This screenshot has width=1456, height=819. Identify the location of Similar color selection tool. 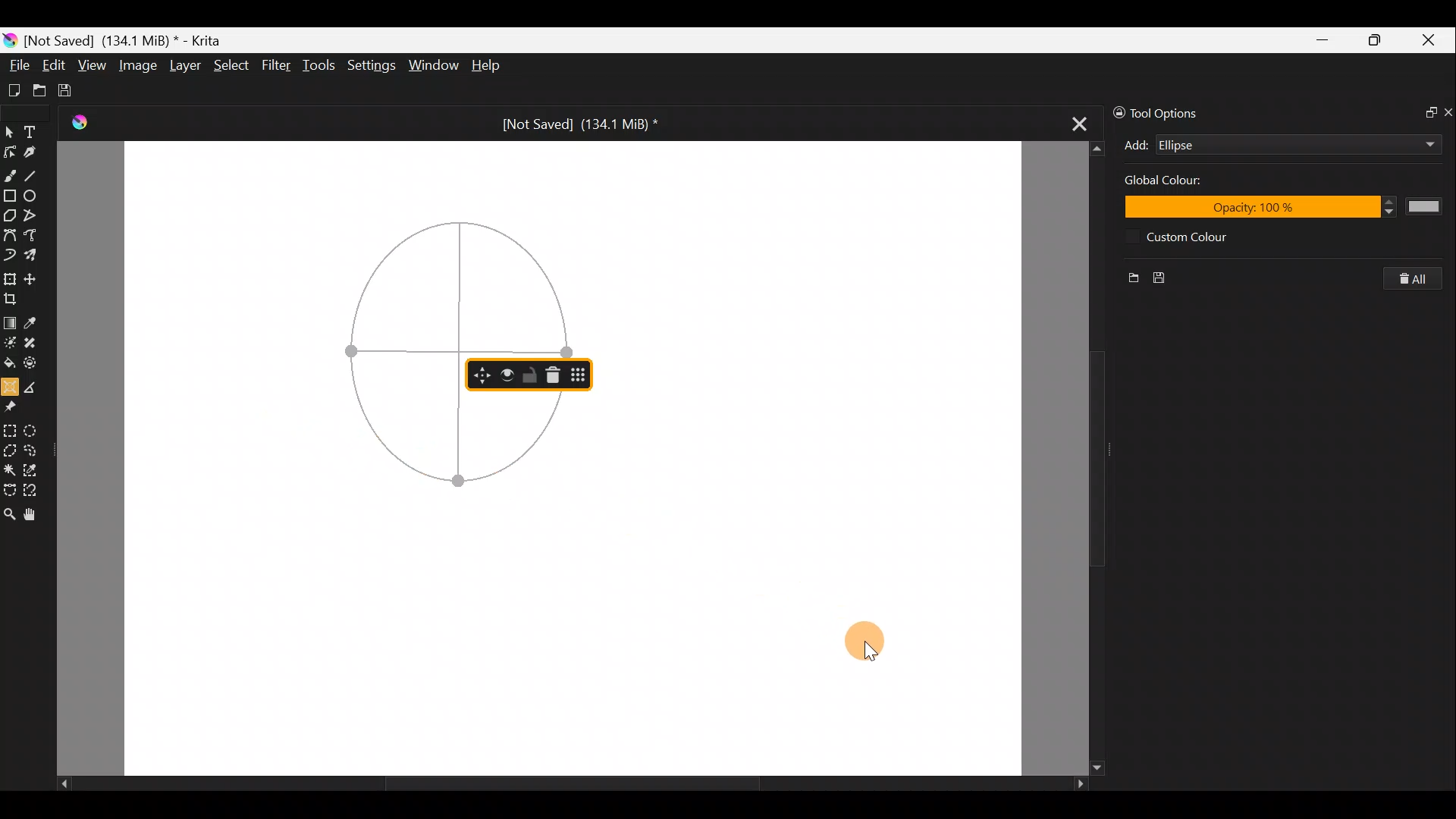
(37, 468).